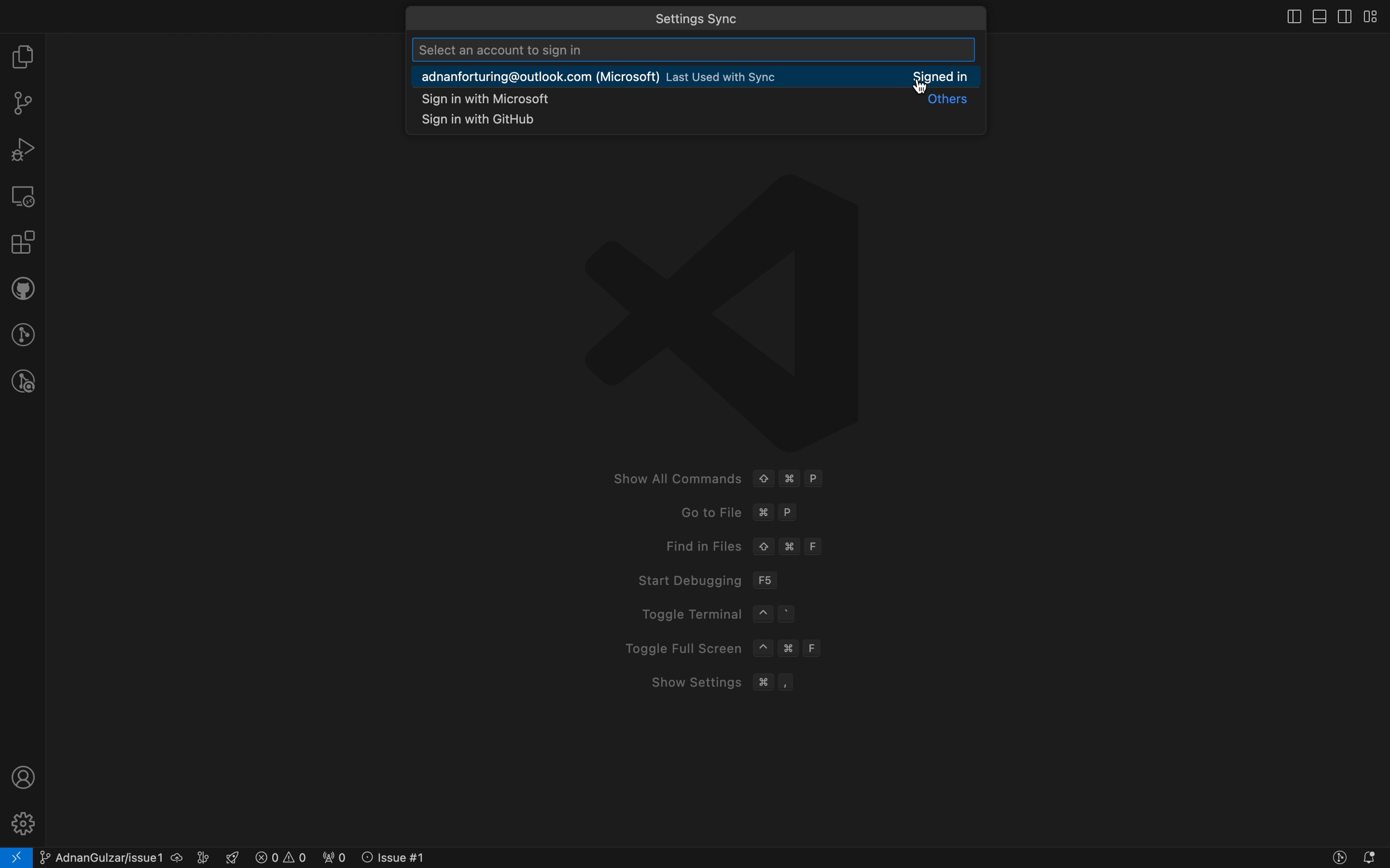  What do you see at coordinates (1372, 858) in the screenshot?
I see `notofications` at bounding box center [1372, 858].